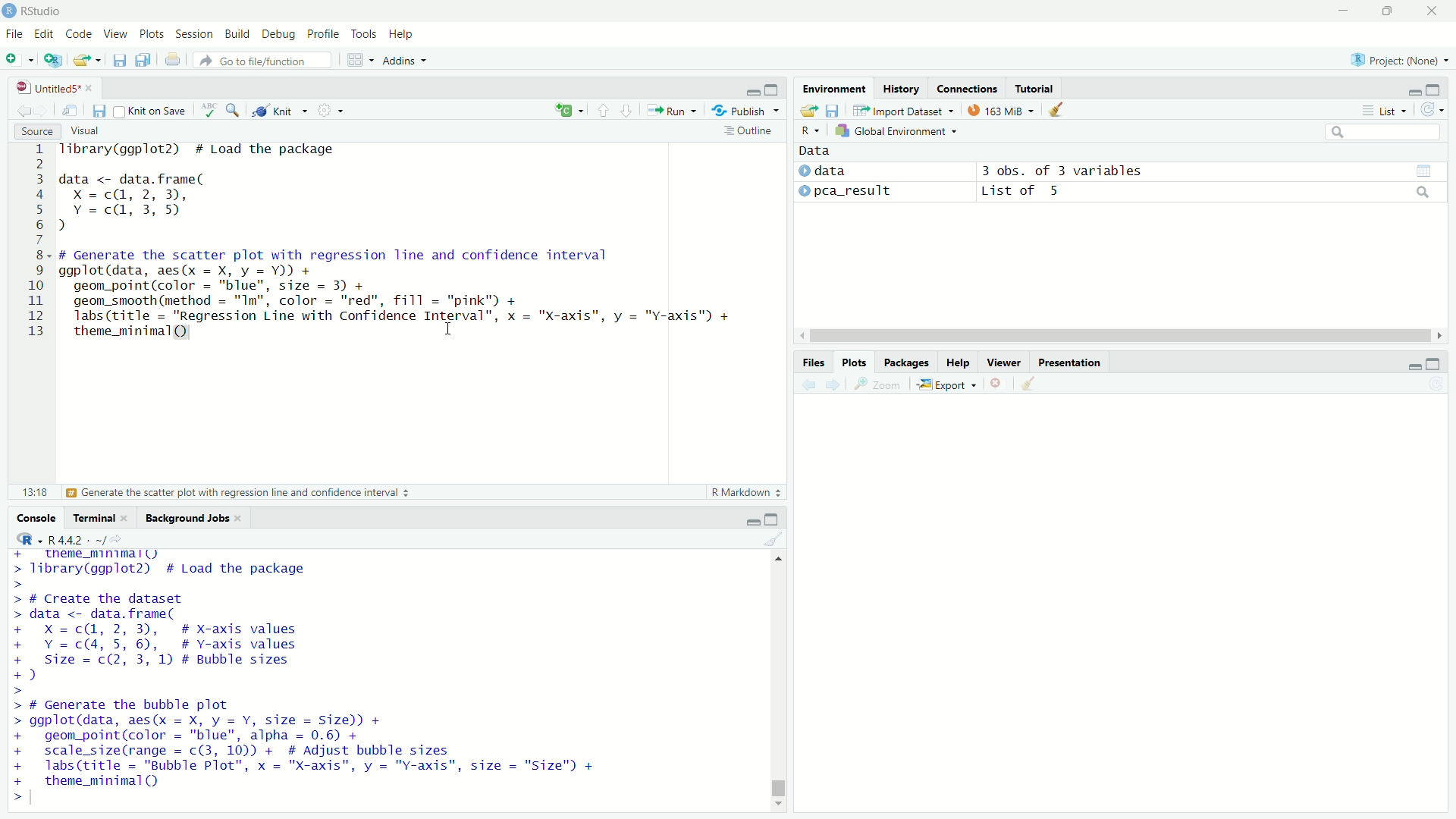 Image resolution: width=1456 pixels, height=819 pixels. I want to click on Refresh the list of objects in the environment, so click(1431, 110).